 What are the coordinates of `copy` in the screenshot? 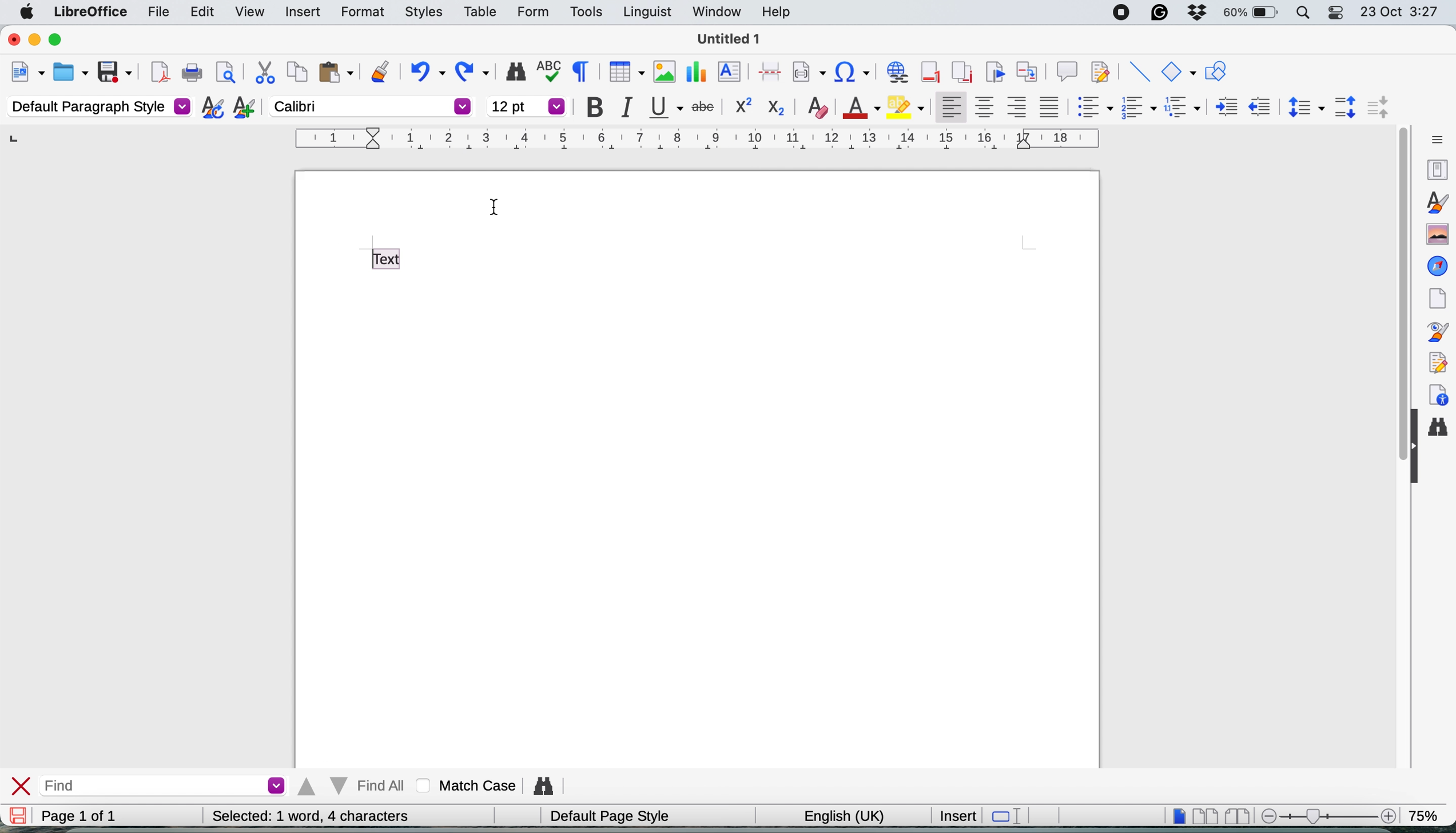 It's located at (296, 74).